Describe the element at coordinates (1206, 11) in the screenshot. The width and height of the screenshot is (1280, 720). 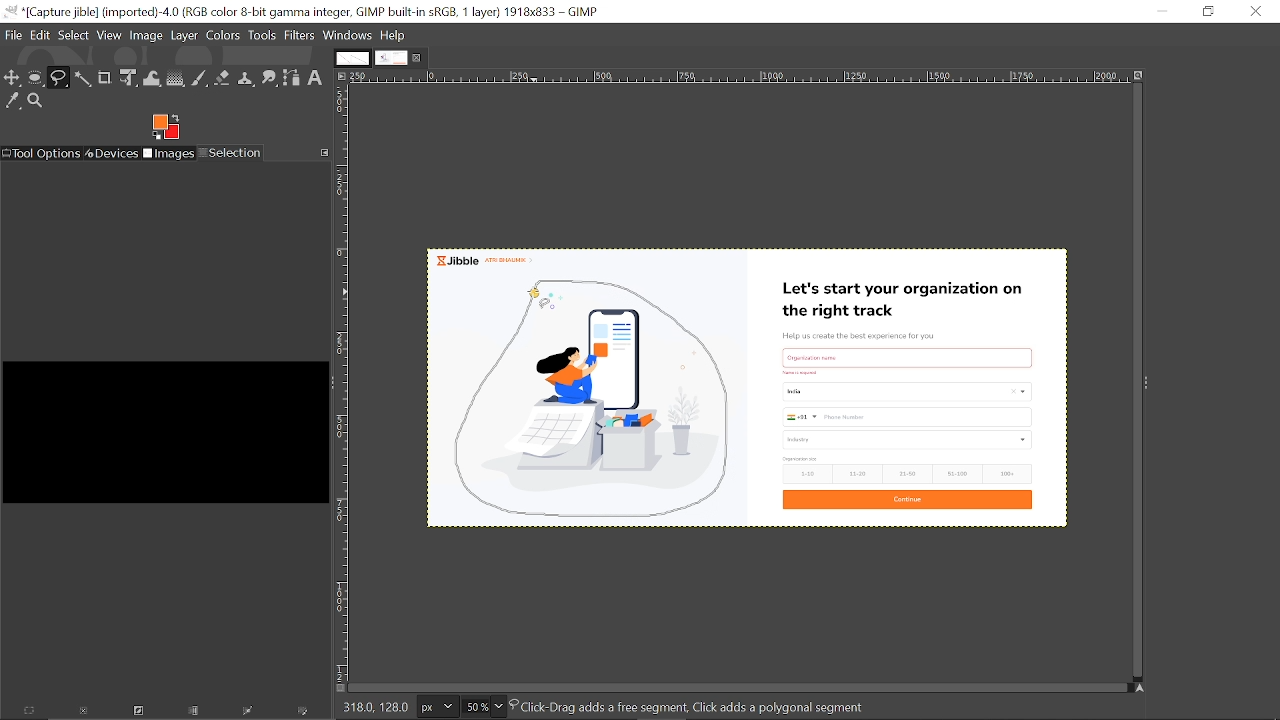
I see `Restore down` at that location.